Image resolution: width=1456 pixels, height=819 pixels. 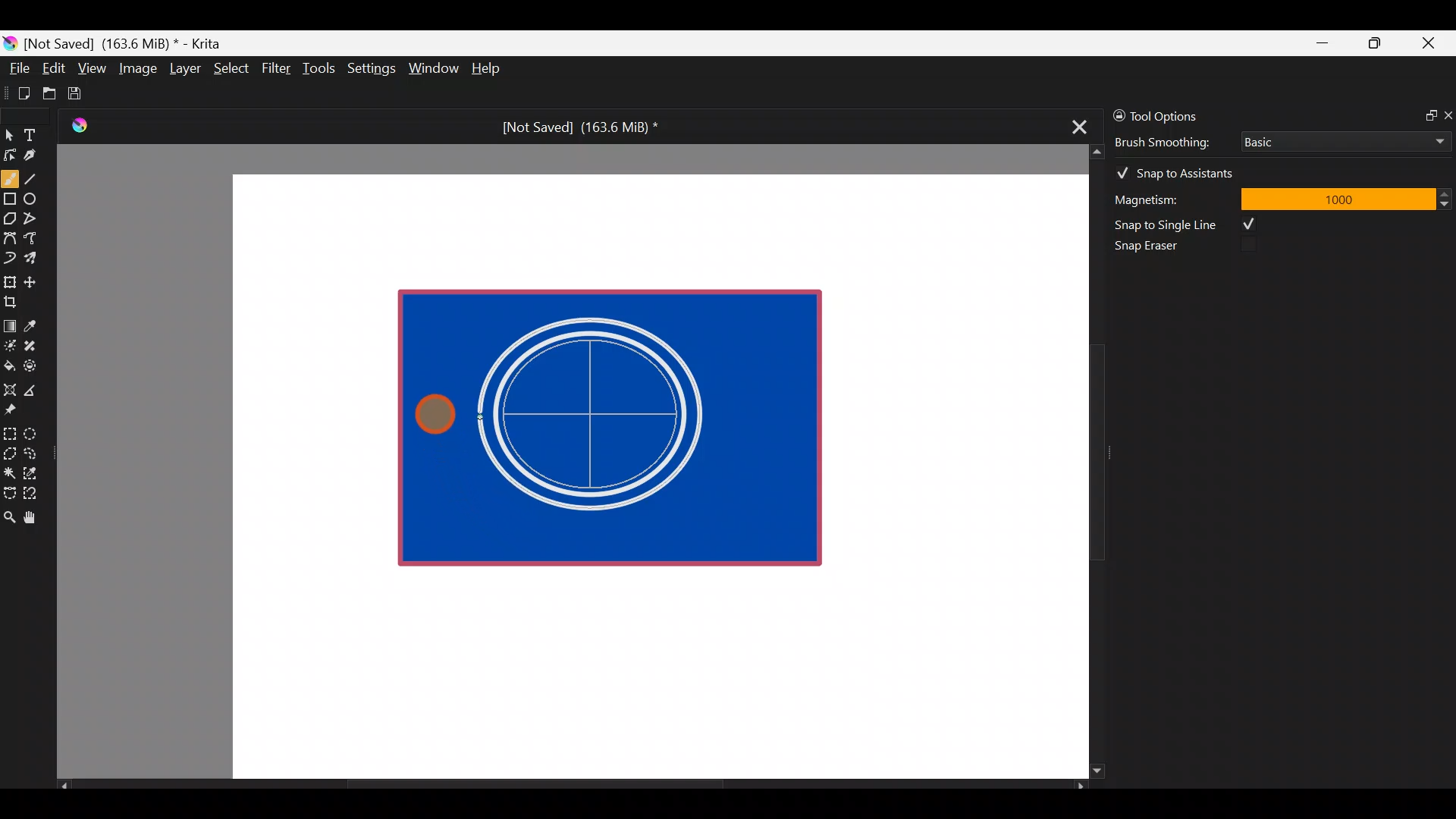 What do you see at coordinates (437, 413) in the screenshot?
I see `Cursor` at bounding box center [437, 413].